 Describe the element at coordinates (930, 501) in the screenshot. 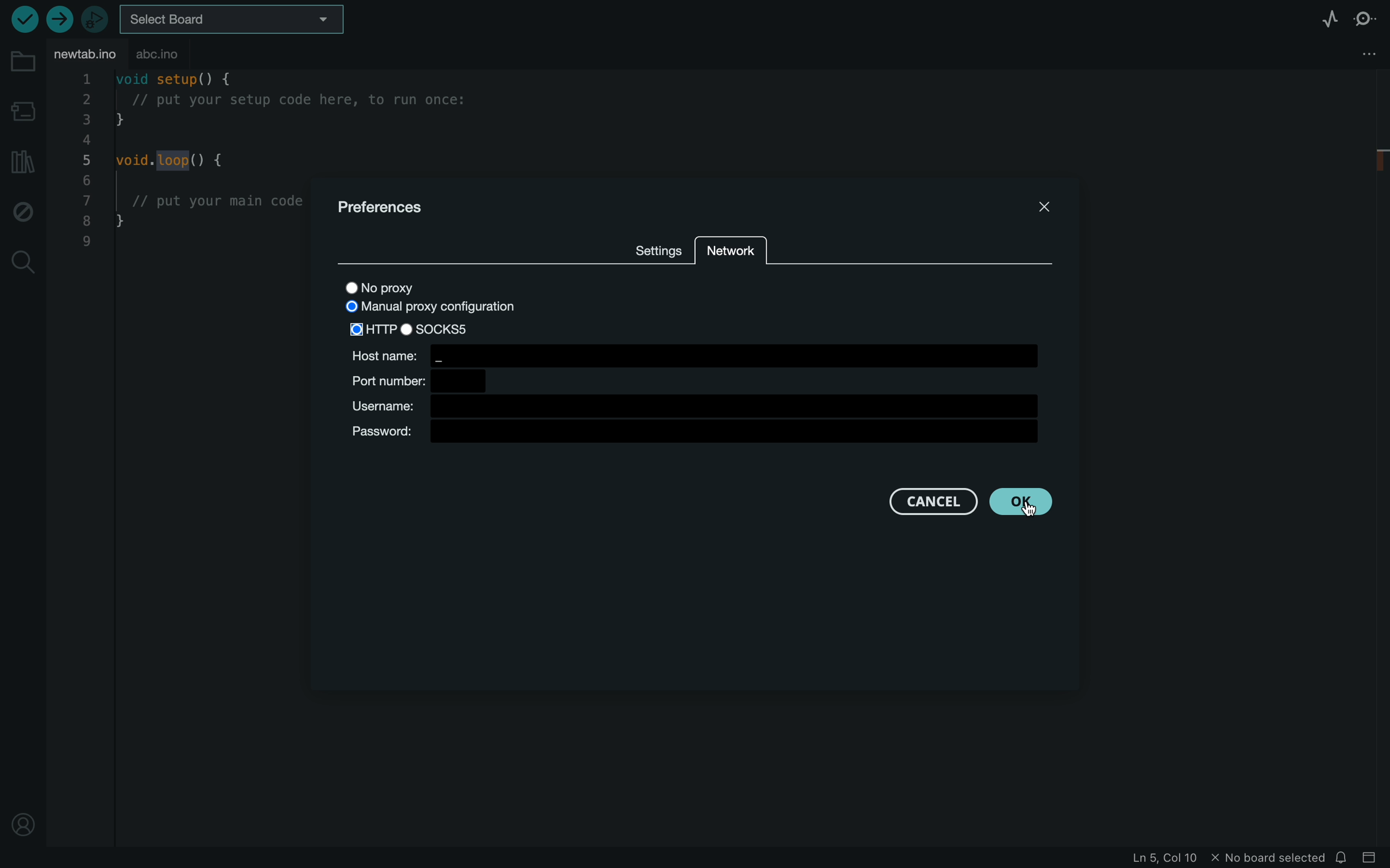

I see `cancel` at that location.